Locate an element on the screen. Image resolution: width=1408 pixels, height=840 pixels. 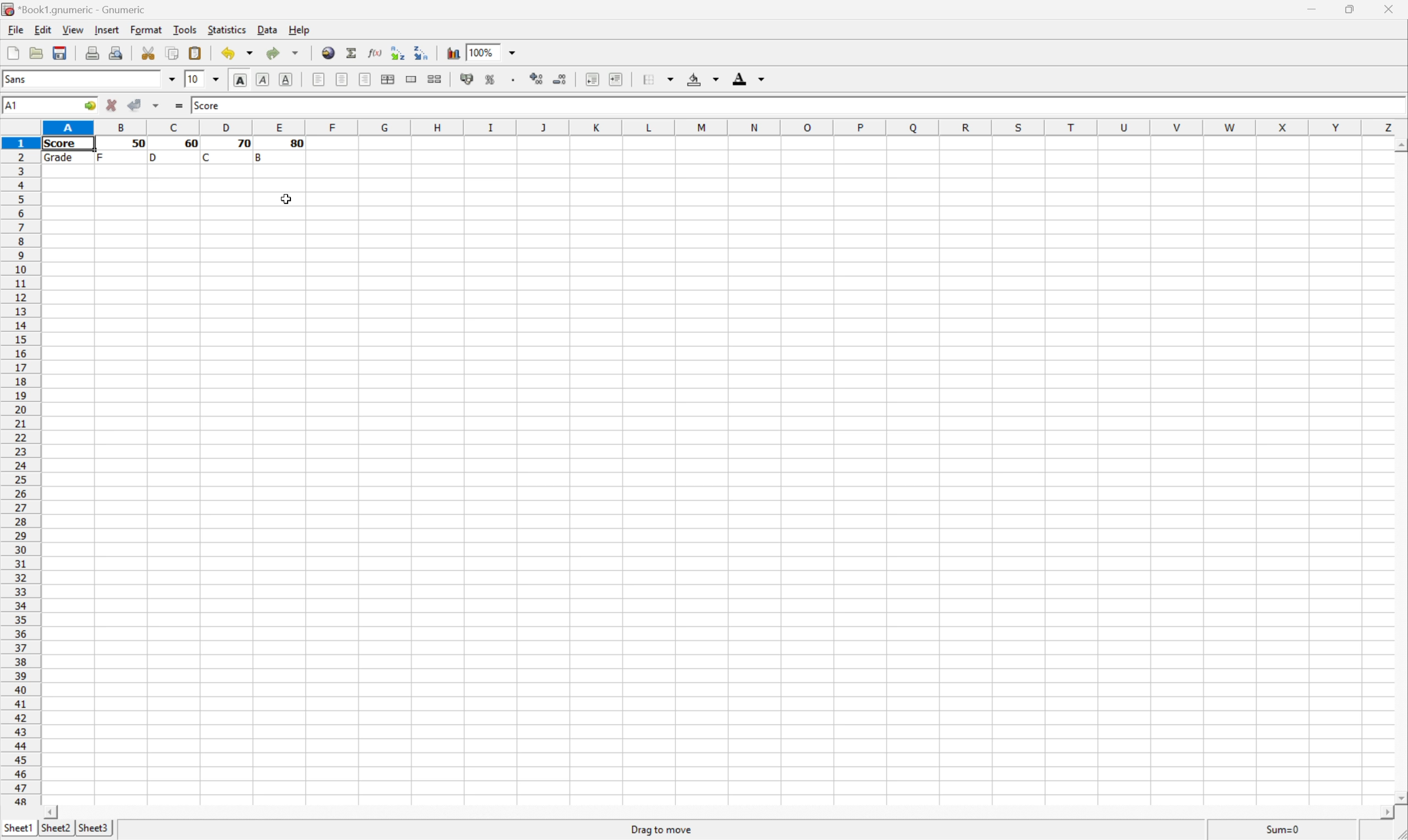
Grade is located at coordinates (62, 159).